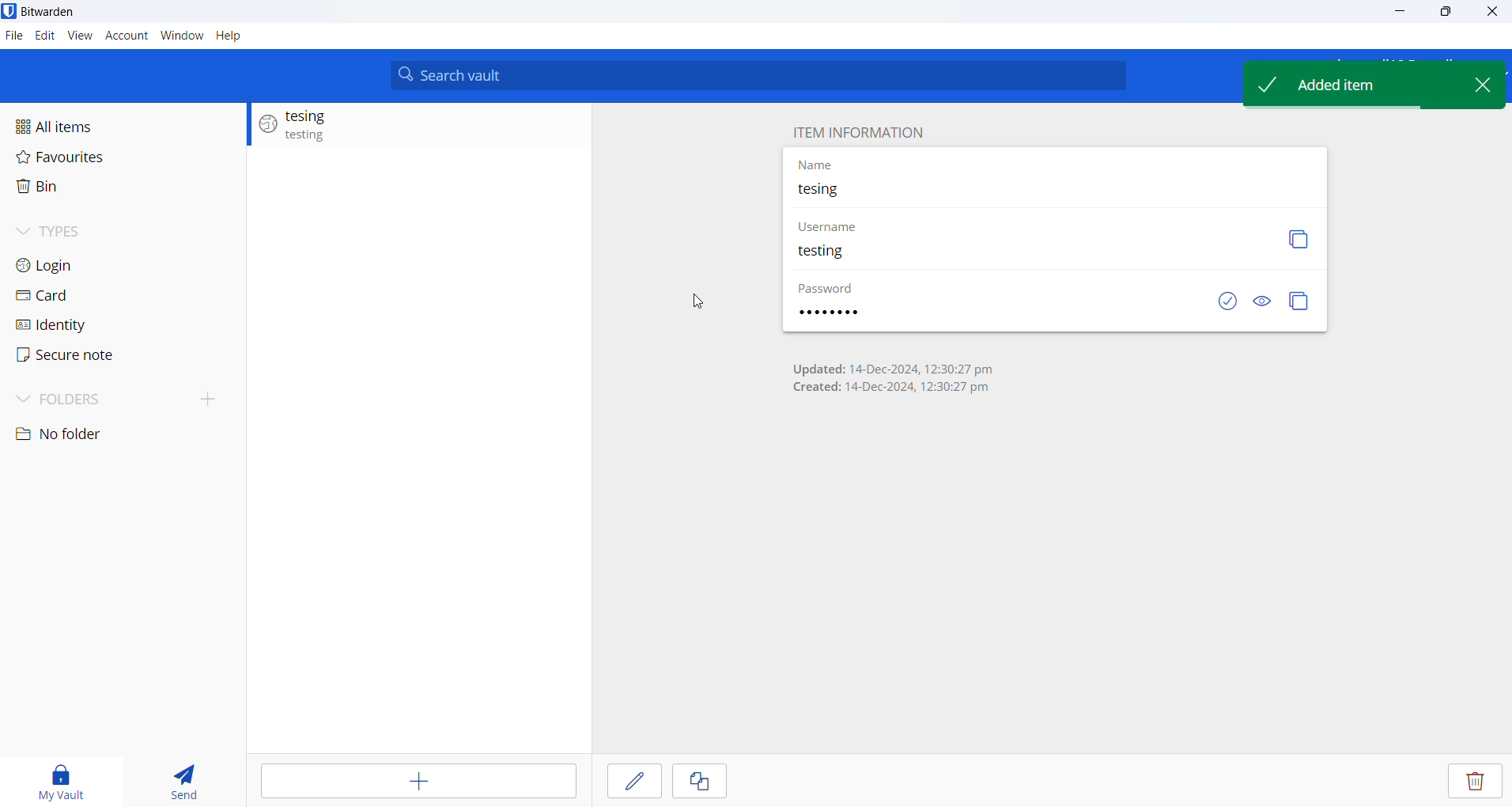 Image resolution: width=1512 pixels, height=807 pixels. What do you see at coordinates (89, 325) in the screenshot?
I see `identity` at bounding box center [89, 325].